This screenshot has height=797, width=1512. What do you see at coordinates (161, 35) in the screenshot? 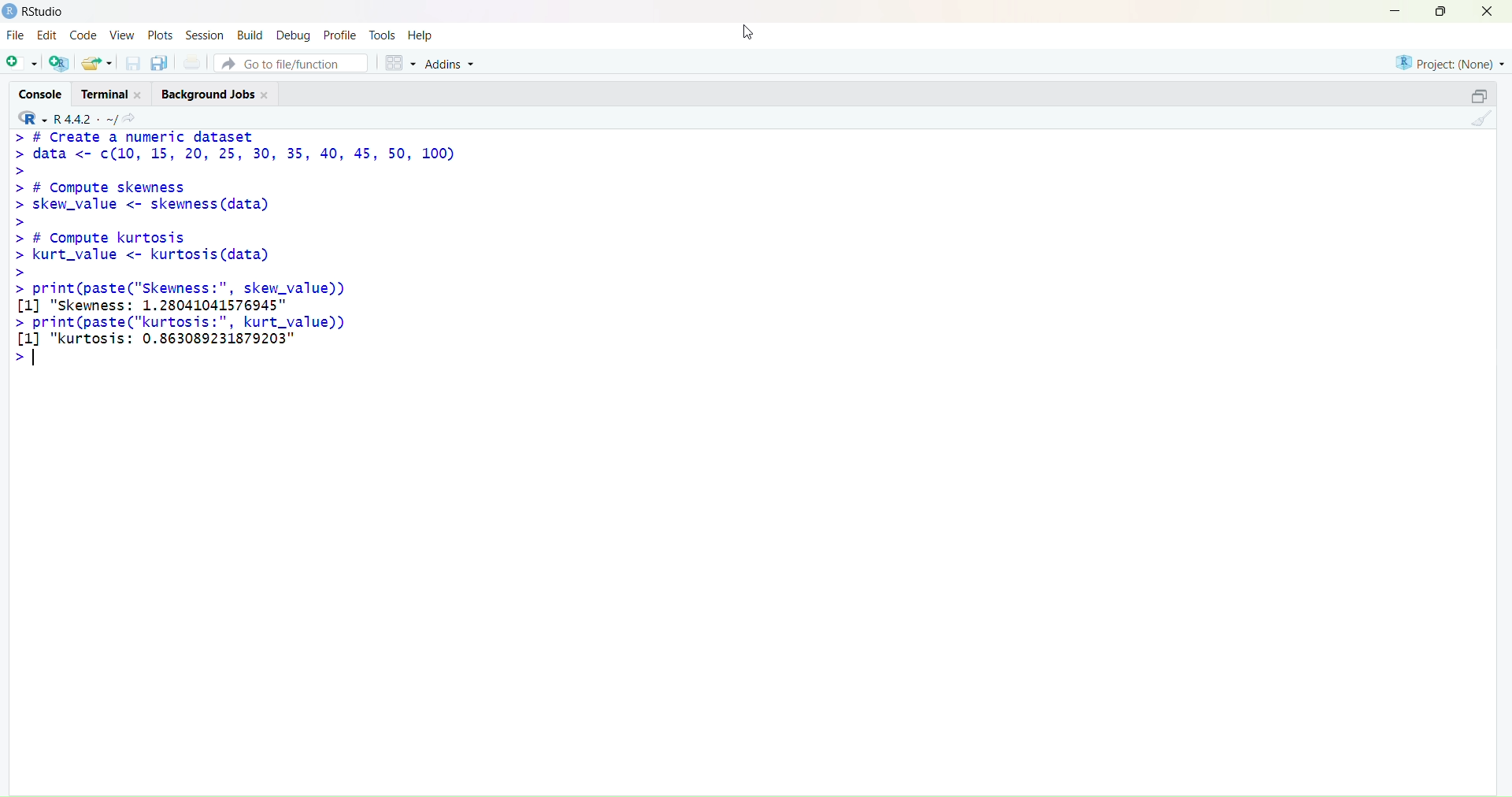
I see `Plots` at bounding box center [161, 35].